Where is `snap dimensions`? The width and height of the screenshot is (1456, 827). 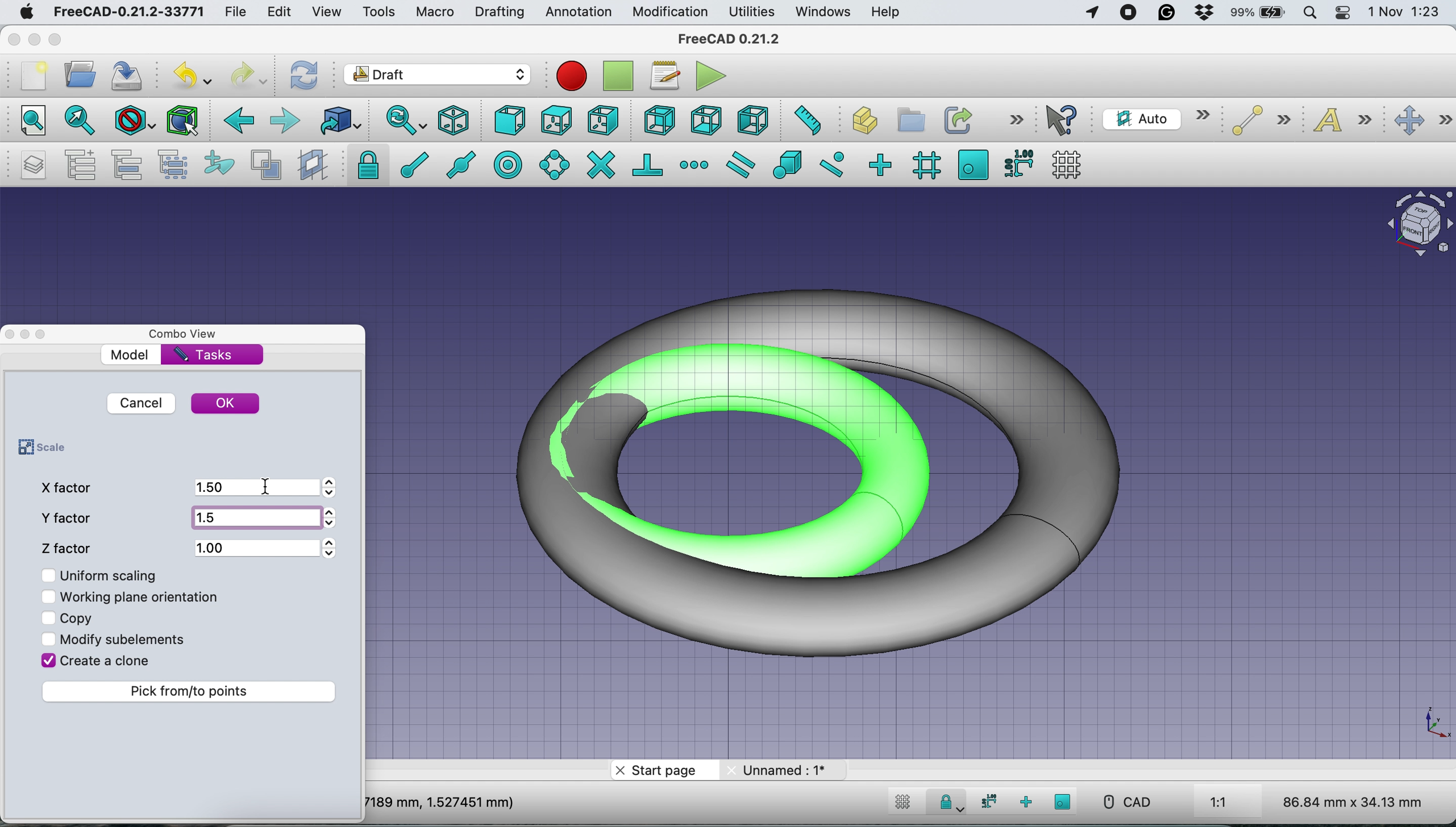 snap dimensions is located at coordinates (987, 801).